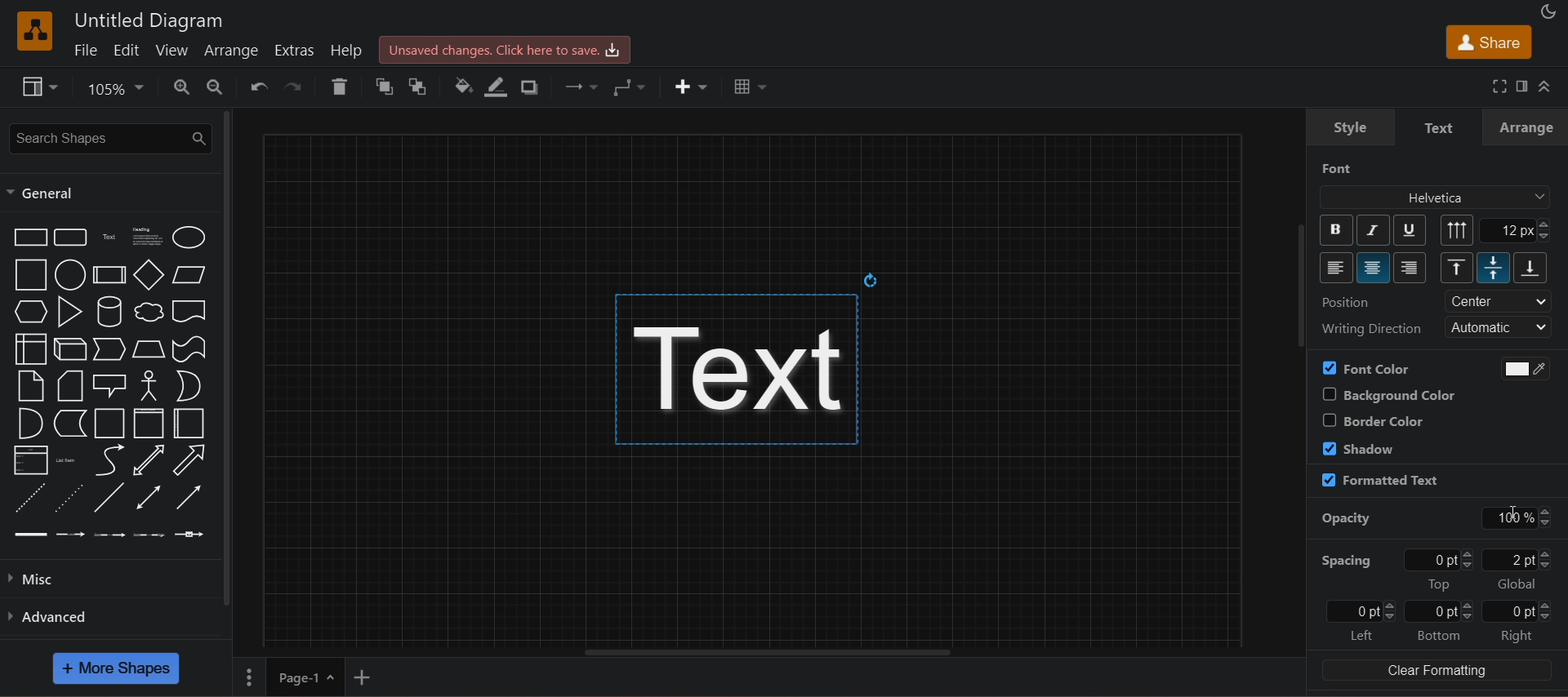 This screenshot has width=1568, height=697. I want to click on hexagon, so click(29, 311).